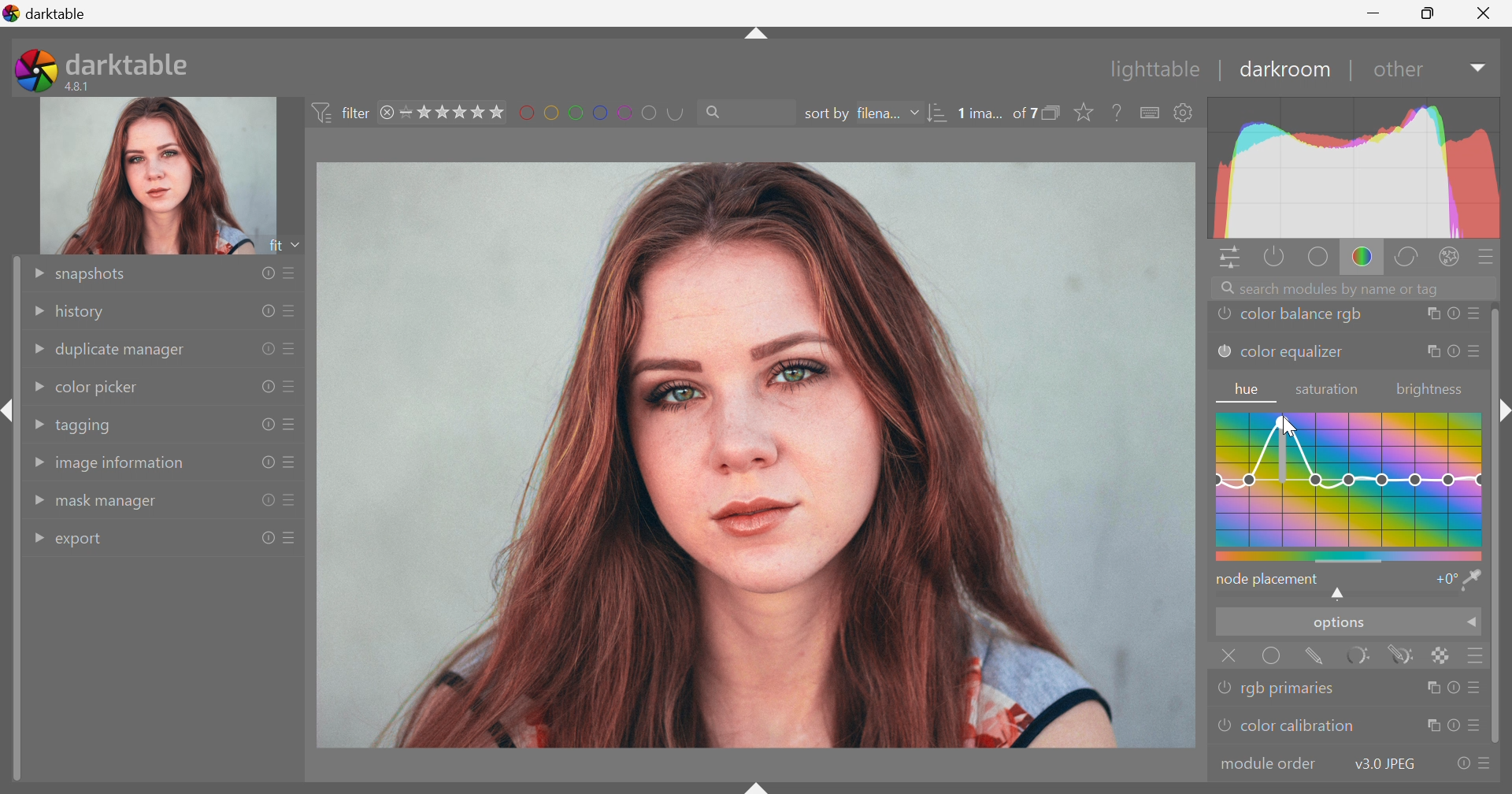 This screenshot has width=1512, height=794. What do you see at coordinates (1478, 688) in the screenshot?
I see `presets` at bounding box center [1478, 688].